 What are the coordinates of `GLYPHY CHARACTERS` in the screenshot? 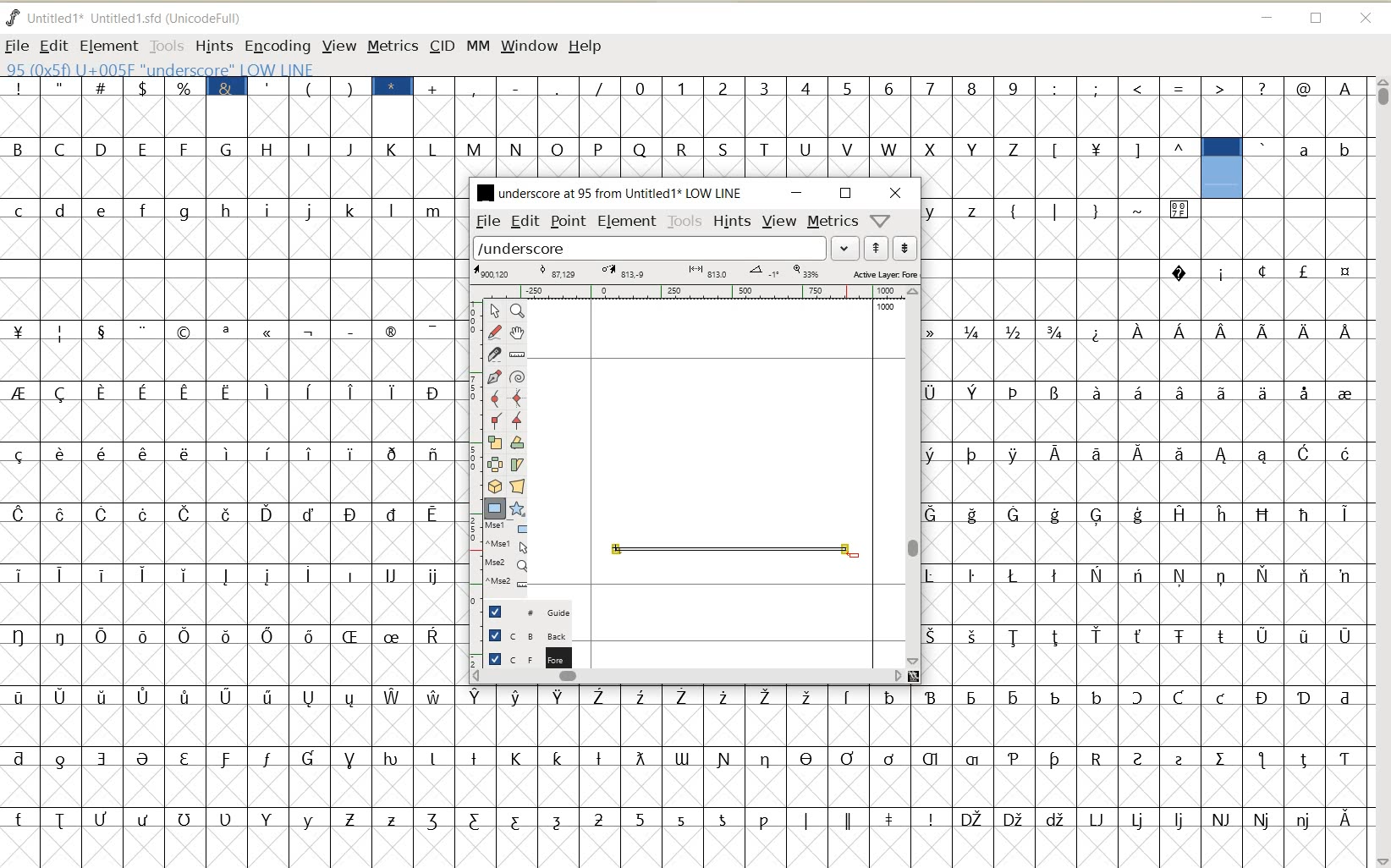 It's located at (1311, 167).